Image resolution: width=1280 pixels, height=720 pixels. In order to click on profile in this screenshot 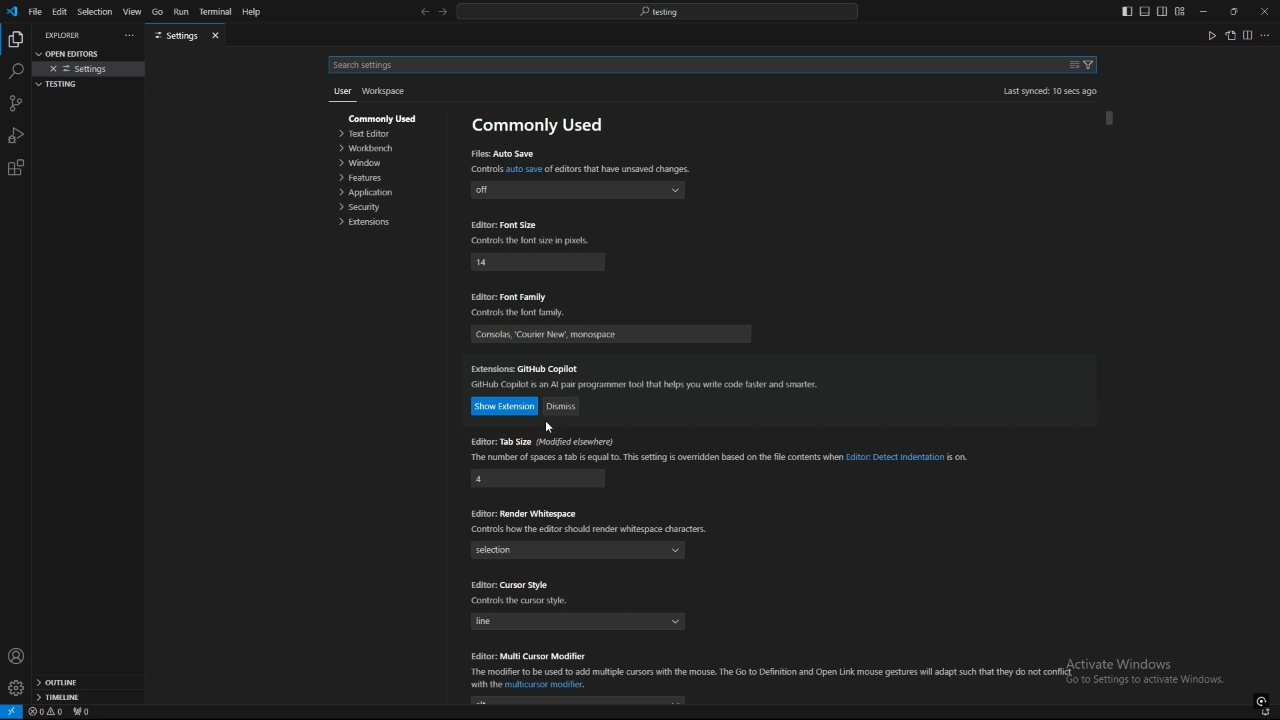, I will do `click(16, 656)`.